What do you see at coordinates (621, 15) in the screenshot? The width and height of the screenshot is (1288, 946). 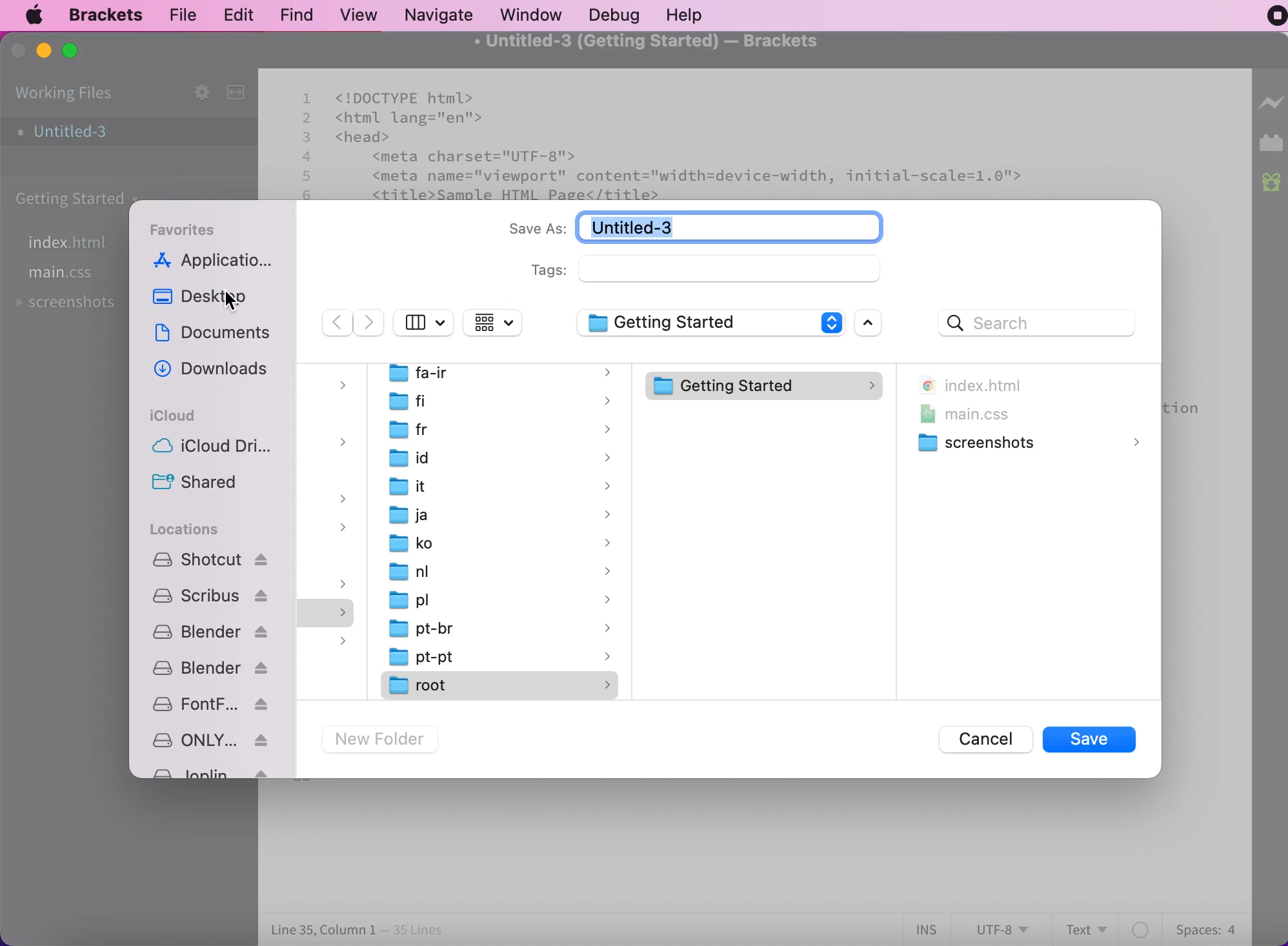 I see `debug` at bounding box center [621, 15].